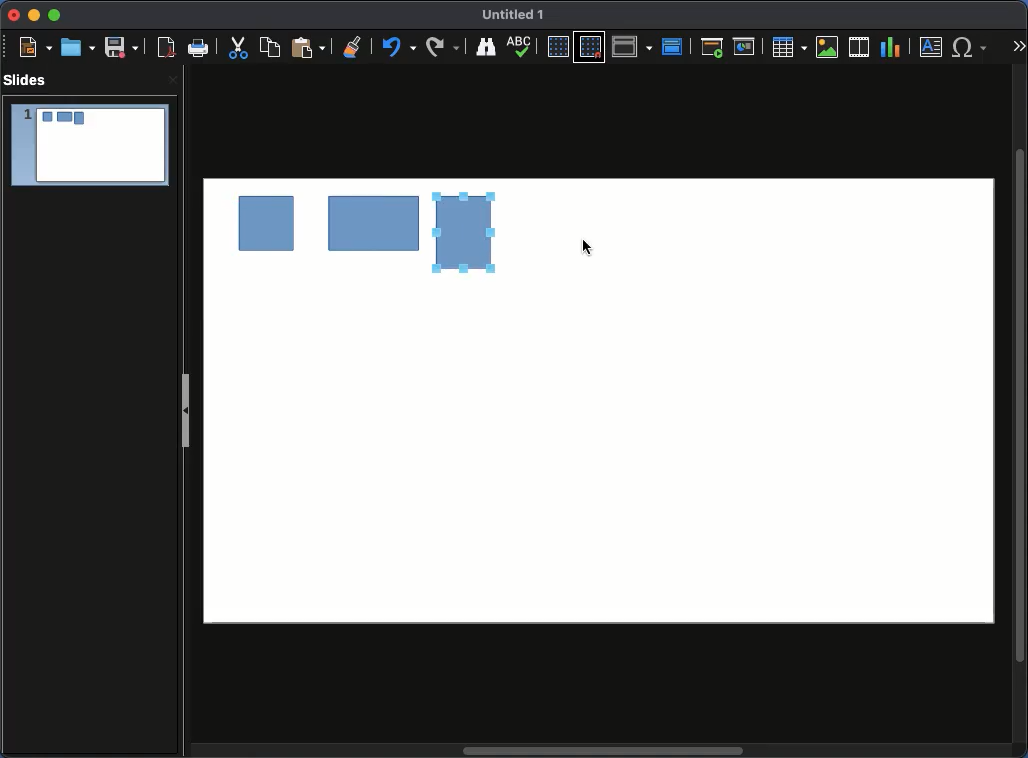 Image resolution: width=1028 pixels, height=758 pixels. What do you see at coordinates (121, 48) in the screenshot?
I see `Save` at bounding box center [121, 48].